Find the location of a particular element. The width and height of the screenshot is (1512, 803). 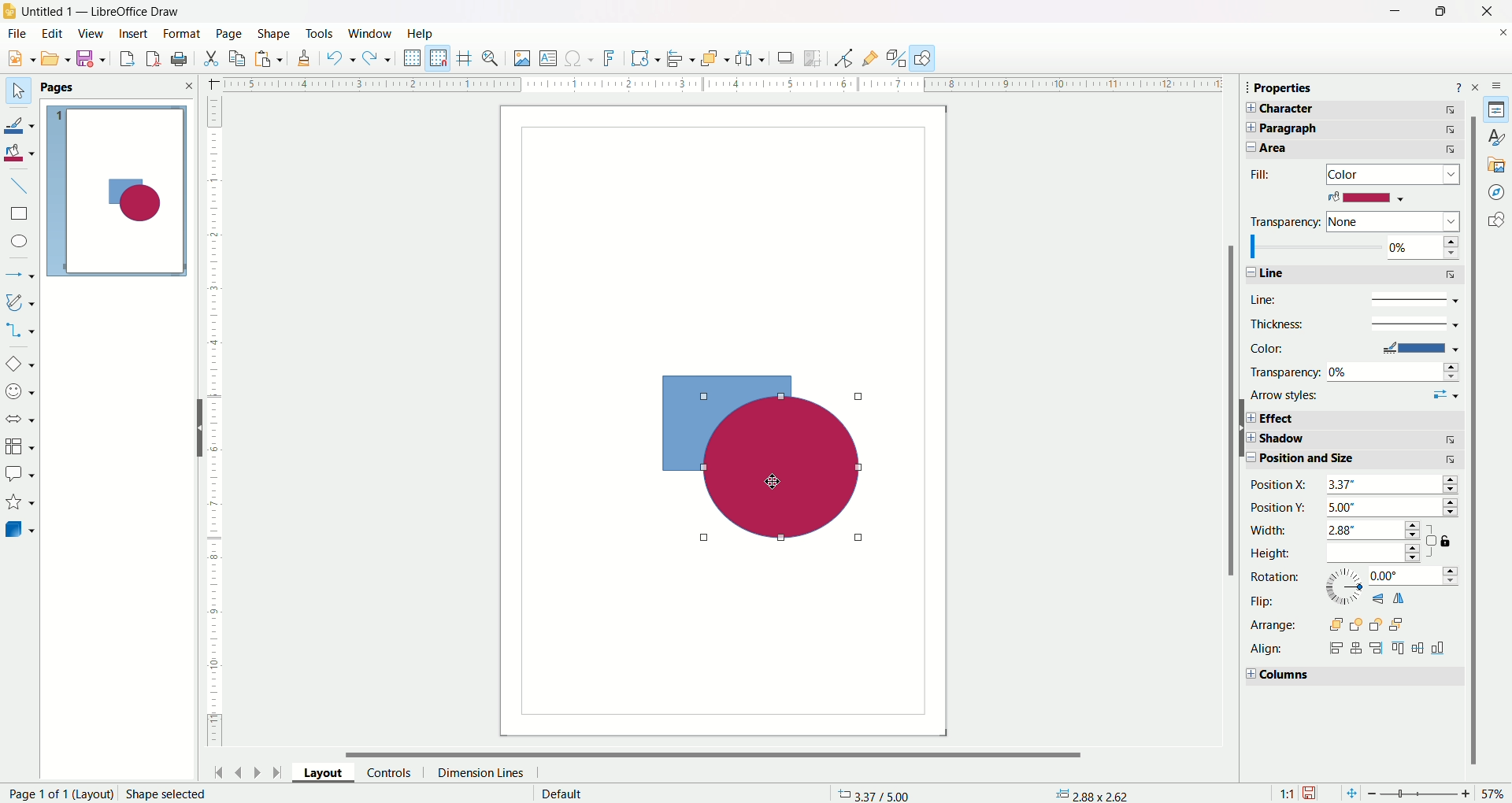

pages is located at coordinates (117, 87).